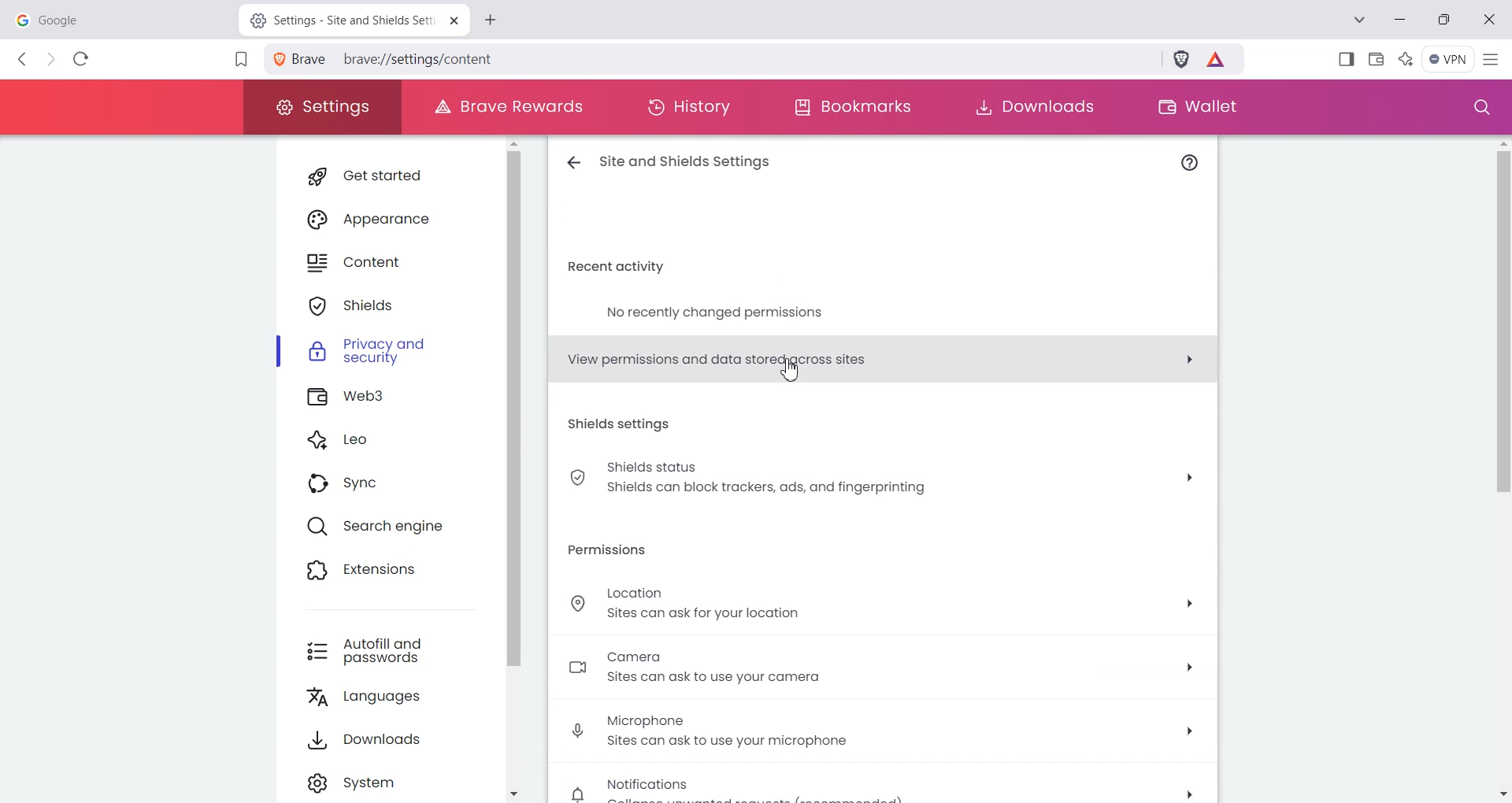 This screenshot has height=803, width=1512. What do you see at coordinates (387, 176) in the screenshot?
I see `Get started` at bounding box center [387, 176].